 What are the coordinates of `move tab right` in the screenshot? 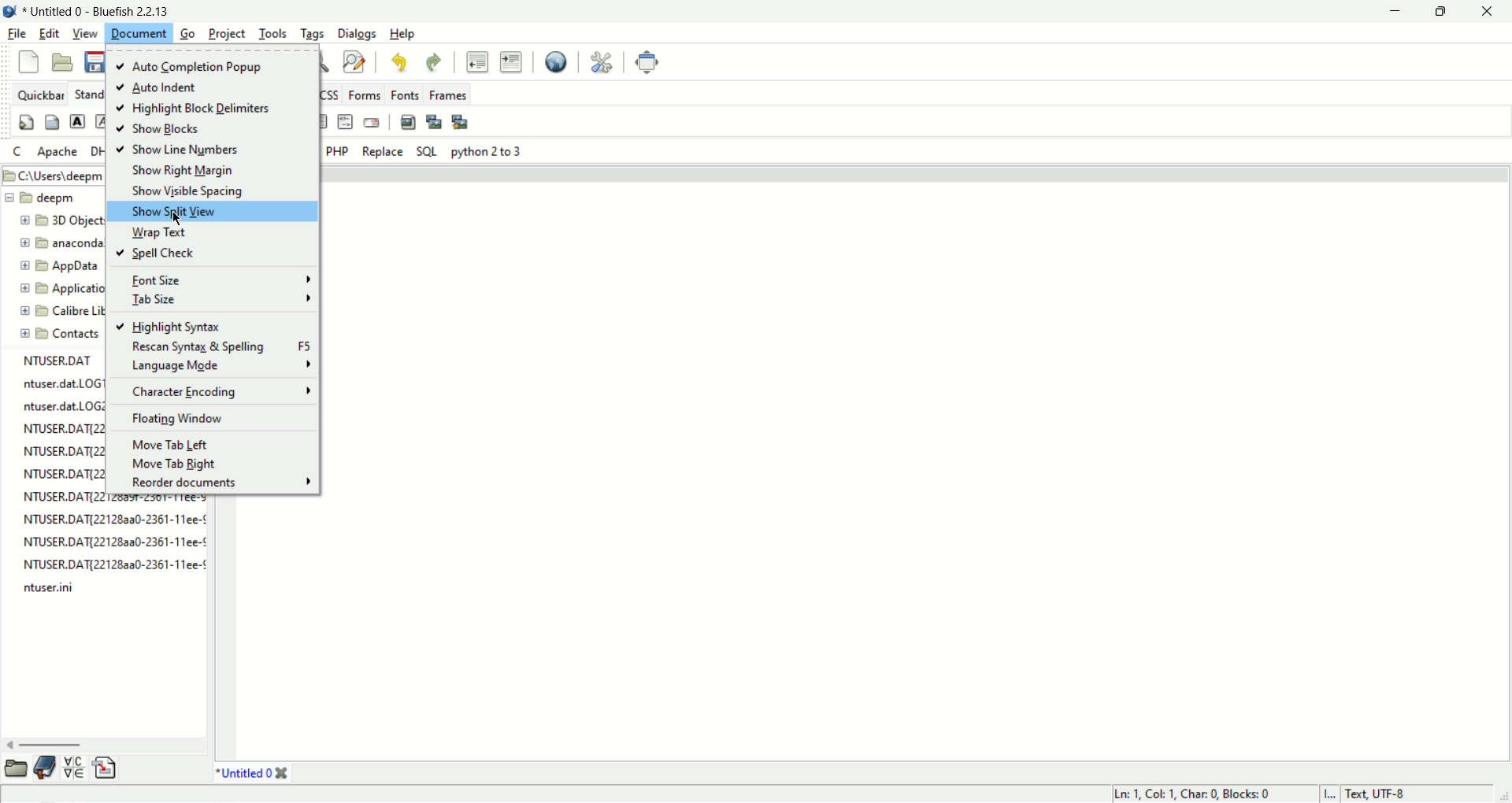 It's located at (192, 464).